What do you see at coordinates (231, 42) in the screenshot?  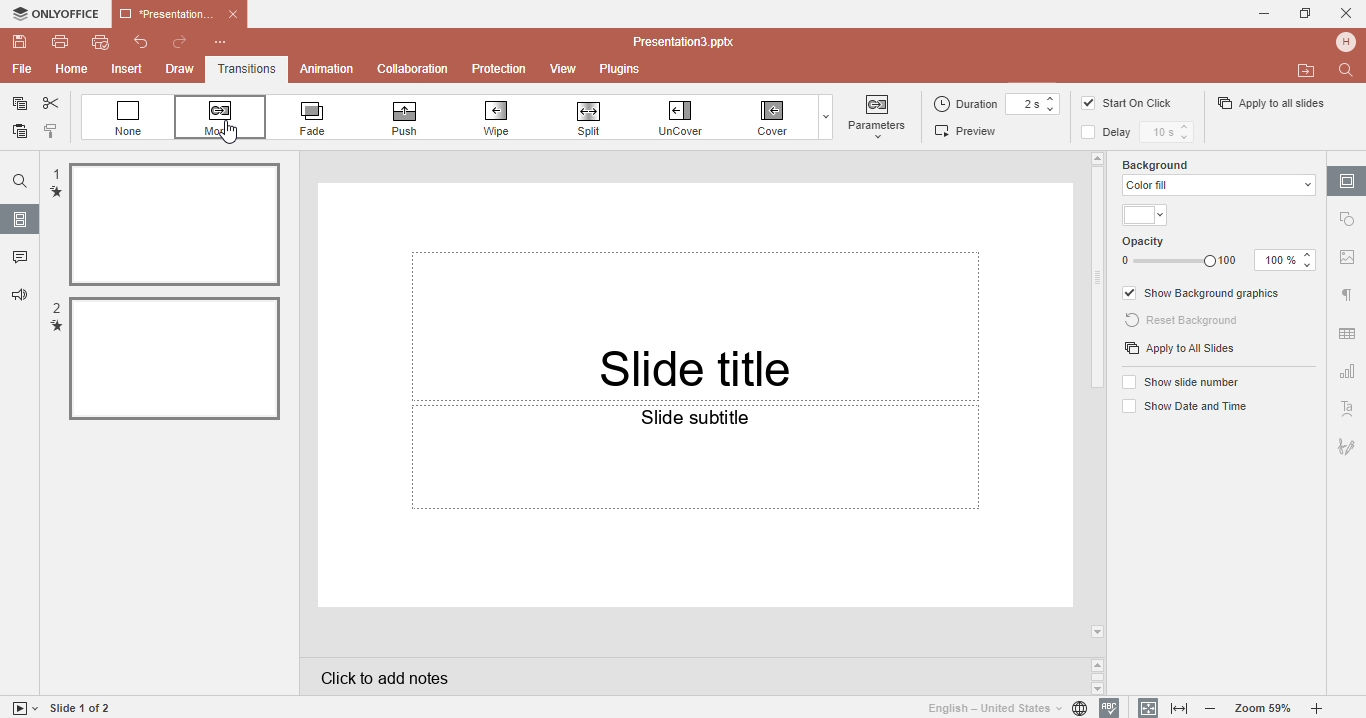 I see `Customize quick access toolbar` at bounding box center [231, 42].